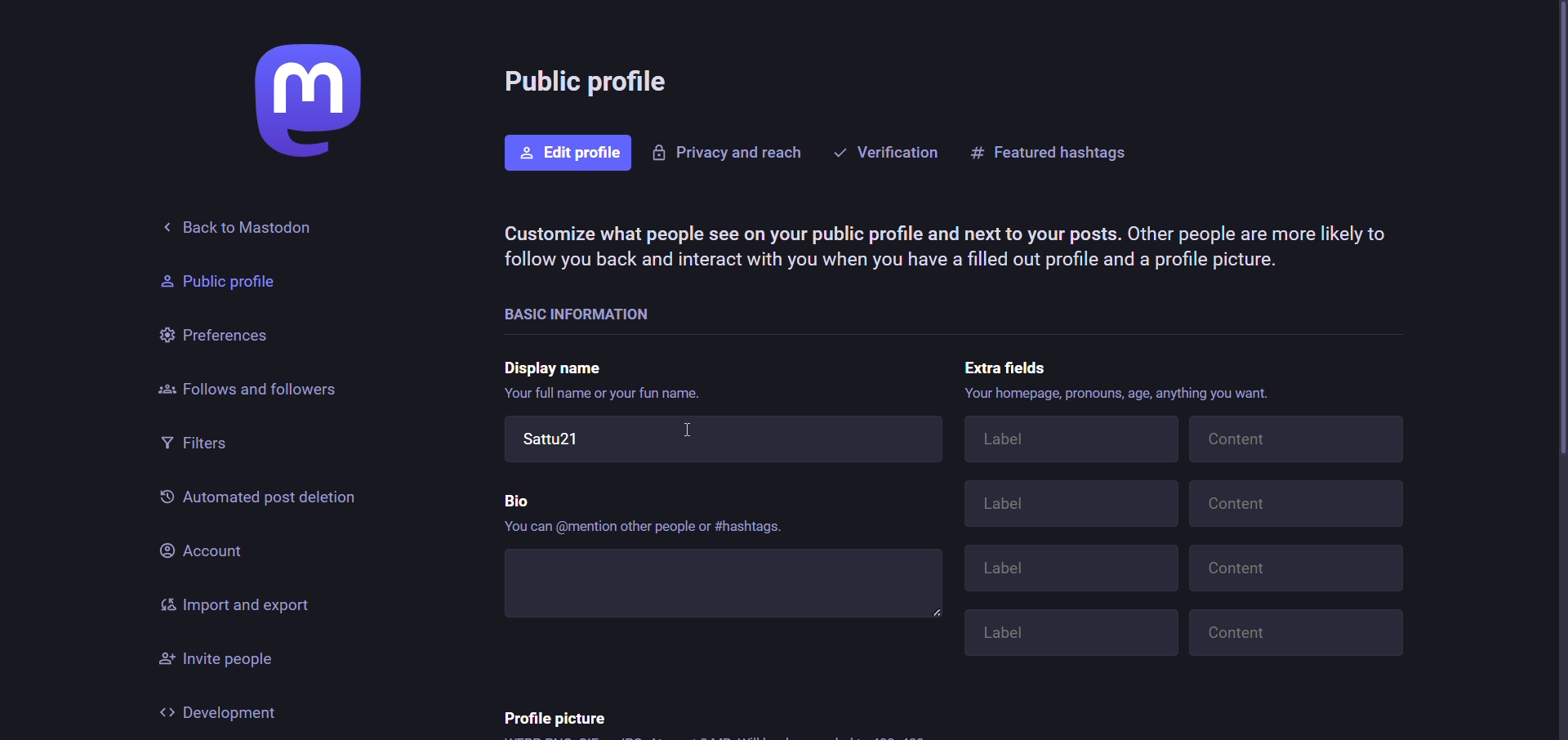 The height and width of the screenshot is (740, 1568). Describe the element at coordinates (1295, 569) in the screenshot. I see `Content ` at that location.